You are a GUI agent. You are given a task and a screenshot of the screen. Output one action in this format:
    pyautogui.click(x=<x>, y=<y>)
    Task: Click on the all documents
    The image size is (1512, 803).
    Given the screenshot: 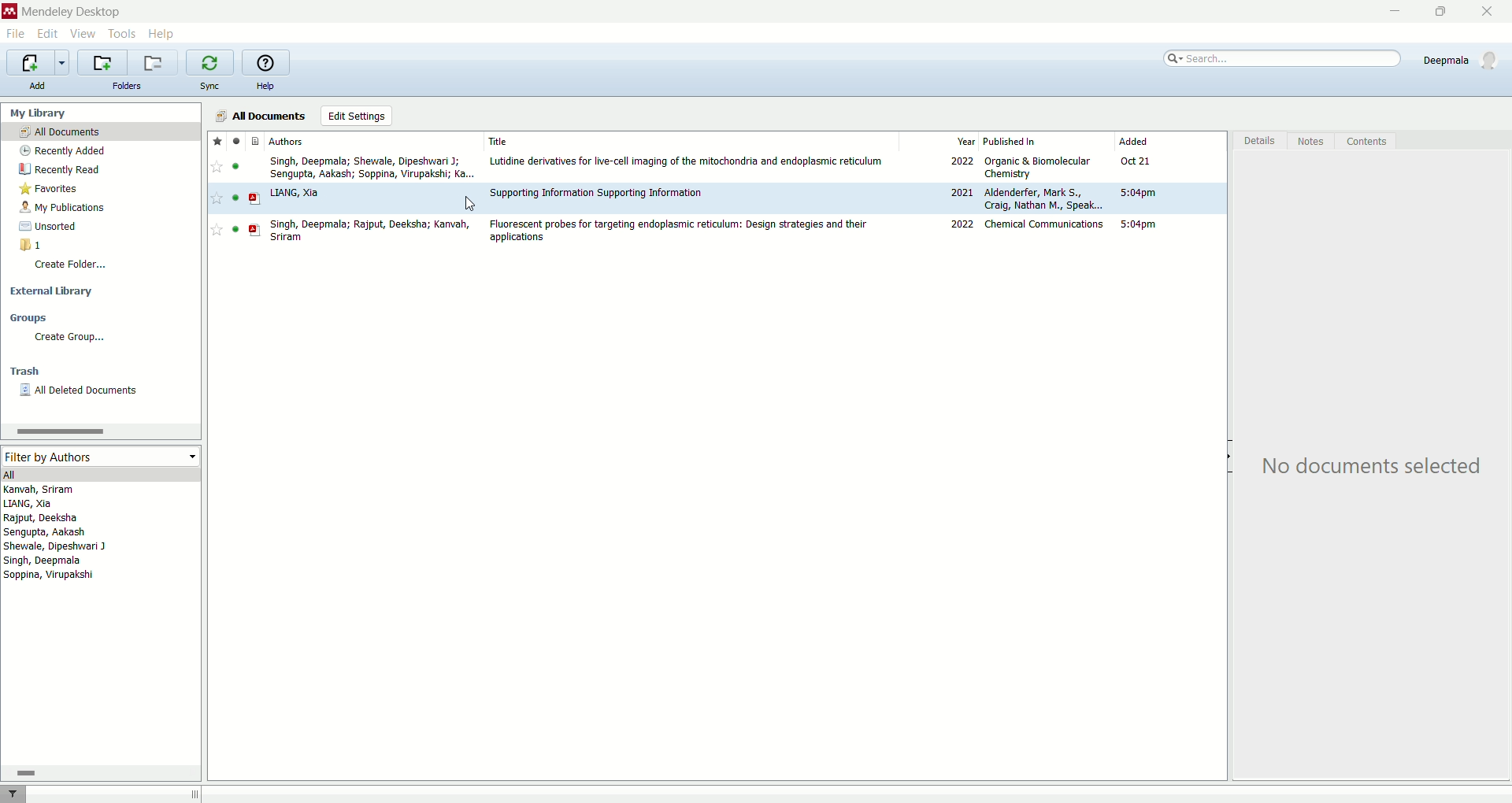 What is the action you would take?
    pyautogui.click(x=261, y=115)
    